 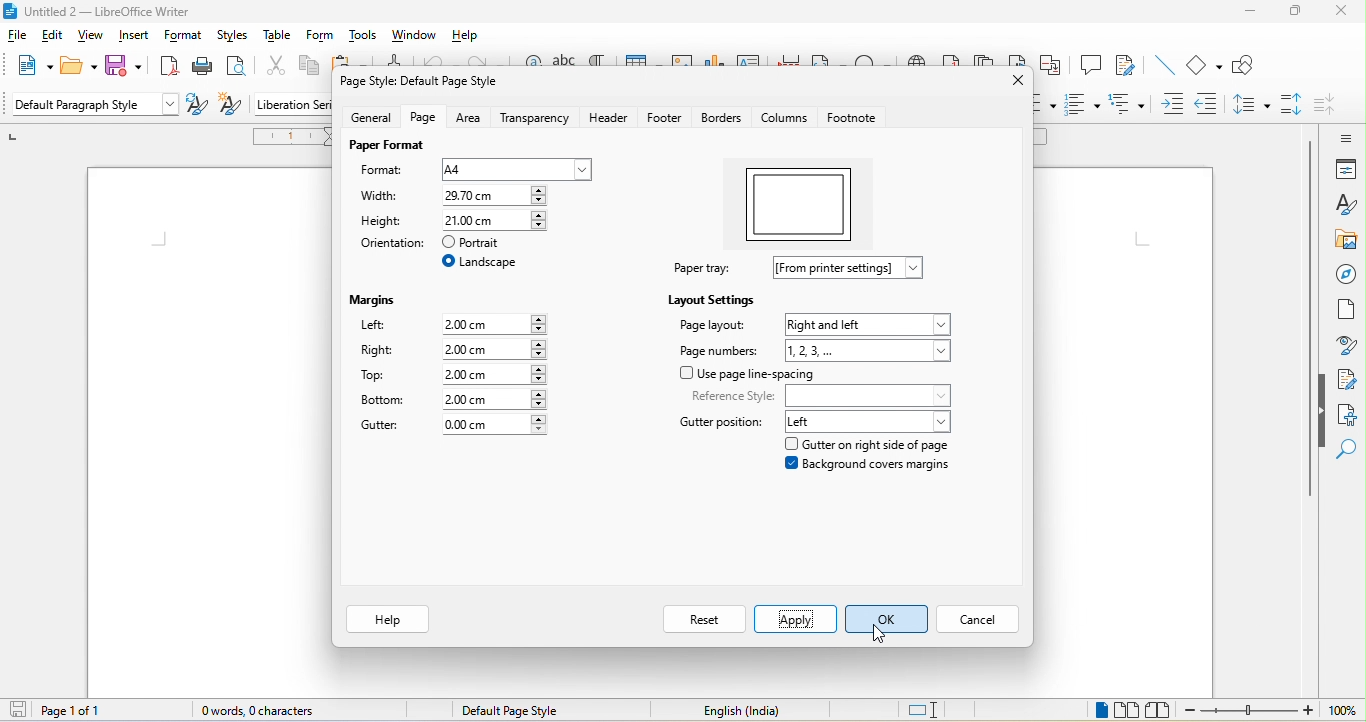 What do you see at coordinates (854, 119) in the screenshot?
I see `footnote` at bounding box center [854, 119].